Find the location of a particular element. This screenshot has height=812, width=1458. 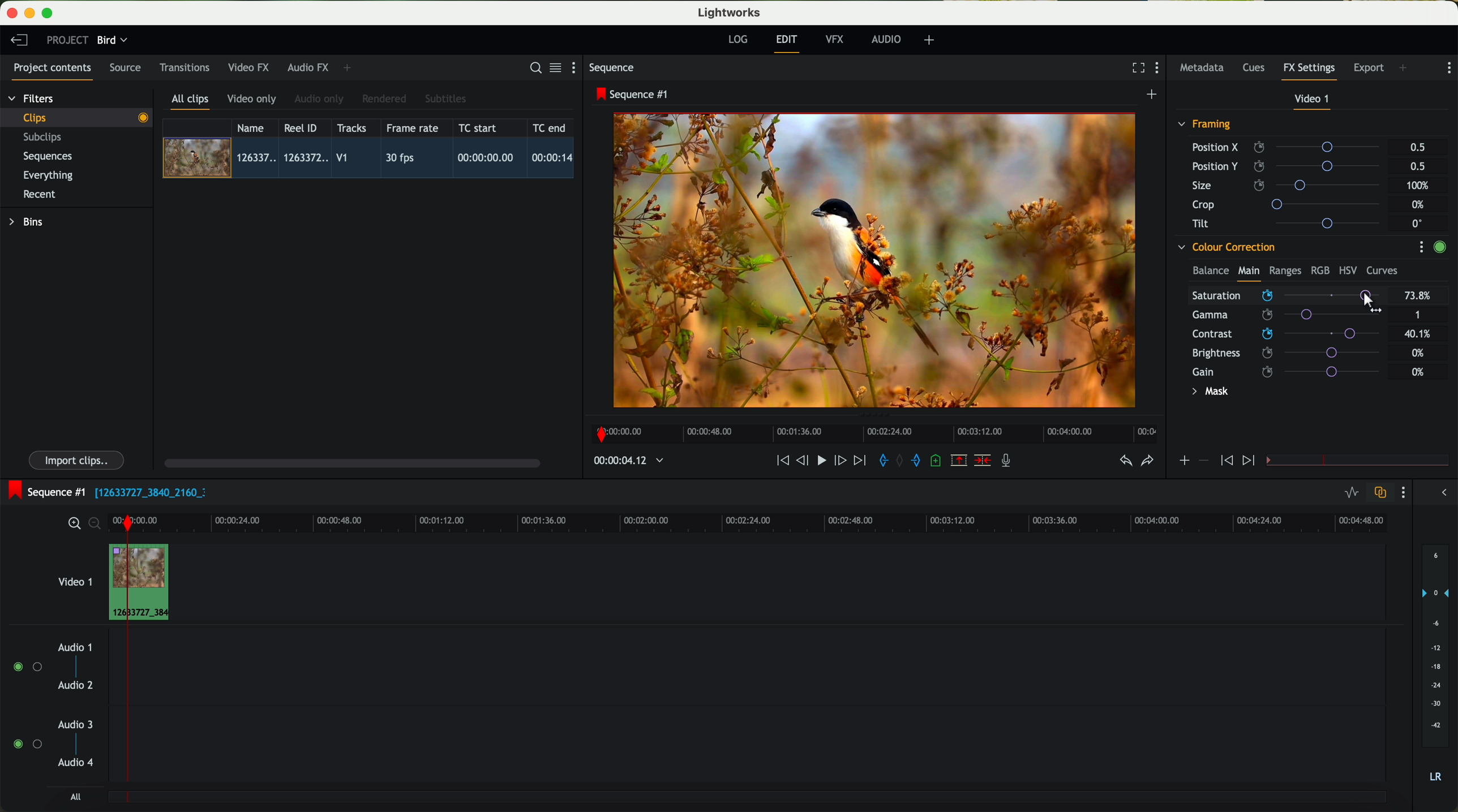

zoom out is located at coordinates (96, 525).